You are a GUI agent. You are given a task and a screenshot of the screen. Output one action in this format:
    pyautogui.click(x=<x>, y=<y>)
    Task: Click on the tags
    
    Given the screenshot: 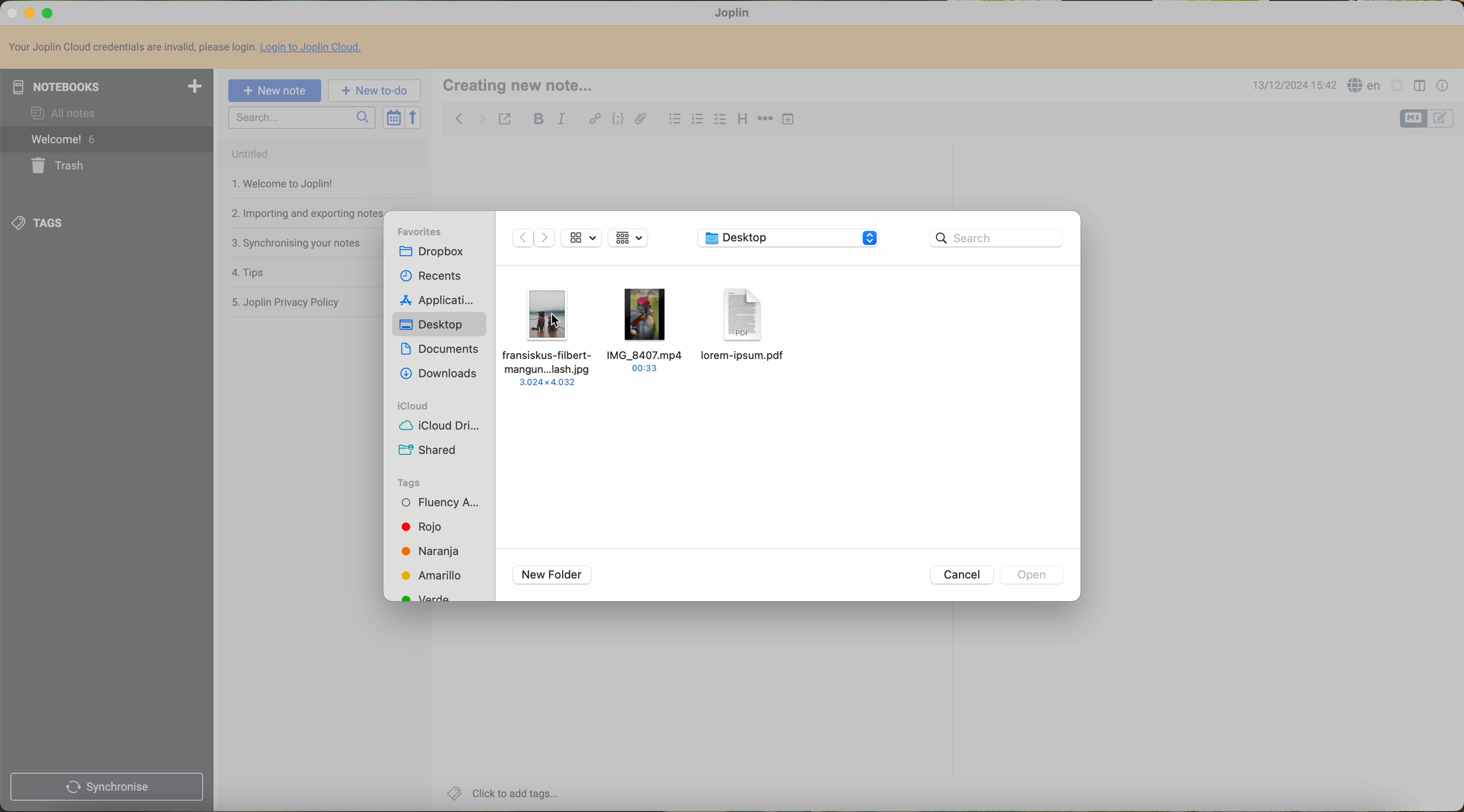 What is the action you would take?
    pyautogui.click(x=39, y=224)
    